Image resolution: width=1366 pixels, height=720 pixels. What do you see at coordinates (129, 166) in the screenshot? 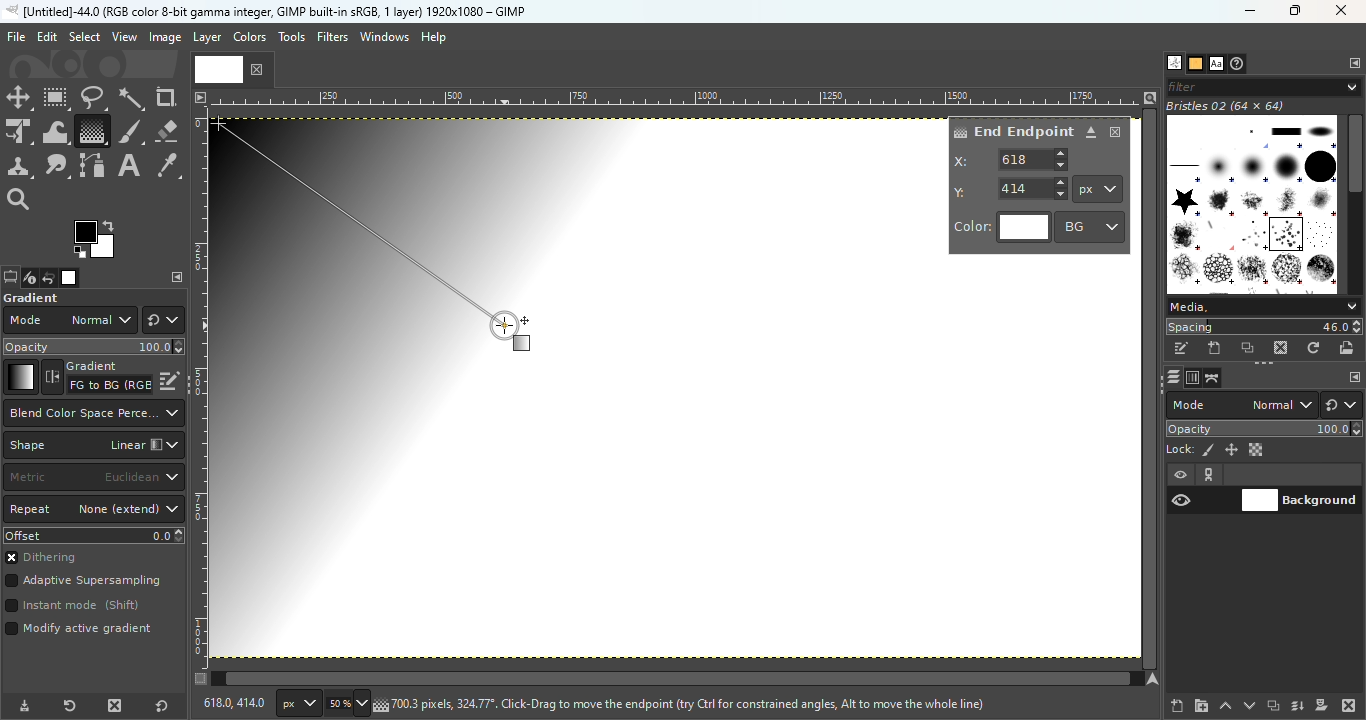
I see `Text tool` at bounding box center [129, 166].